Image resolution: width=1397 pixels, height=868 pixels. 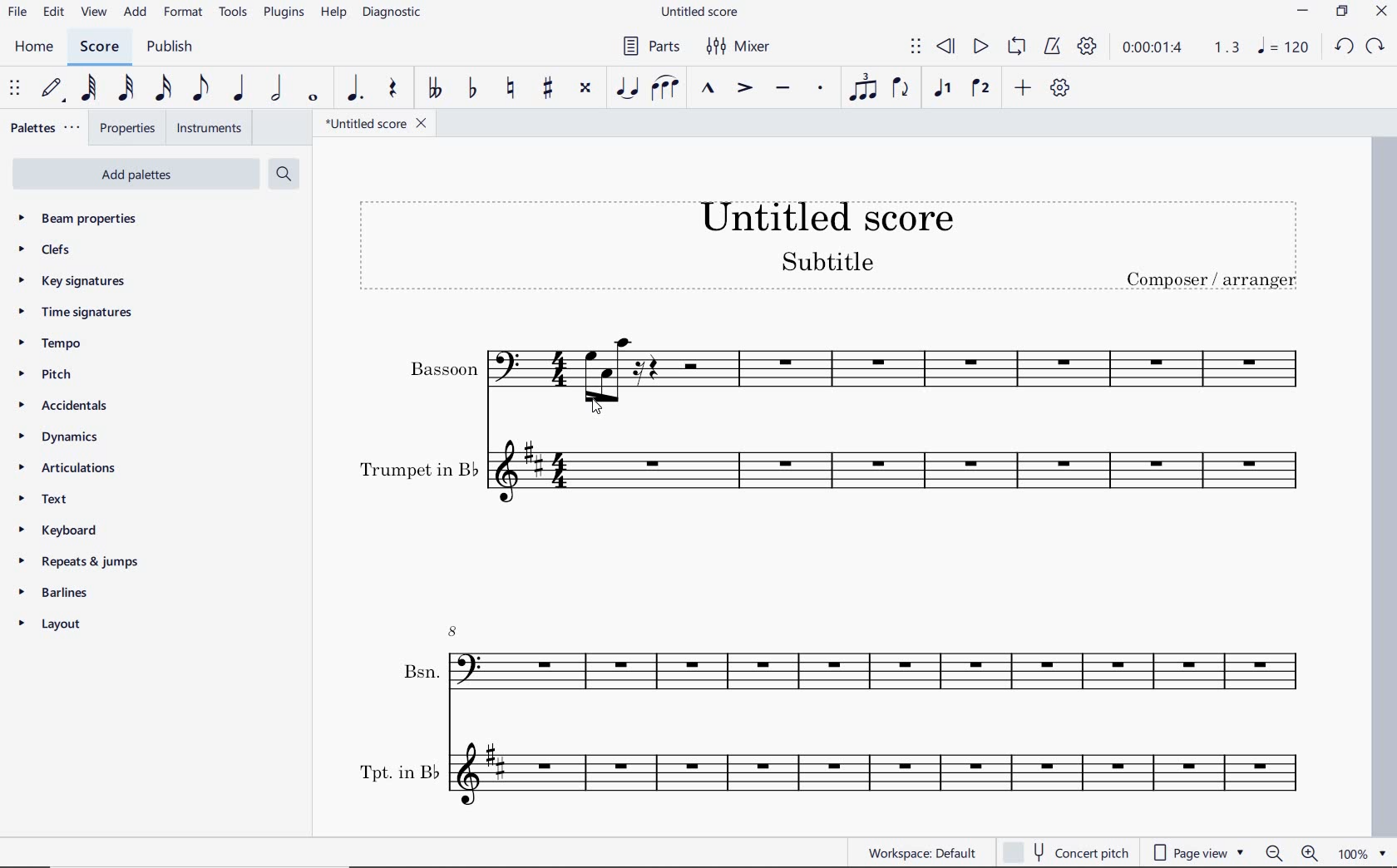 What do you see at coordinates (54, 343) in the screenshot?
I see `tempo` at bounding box center [54, 343].